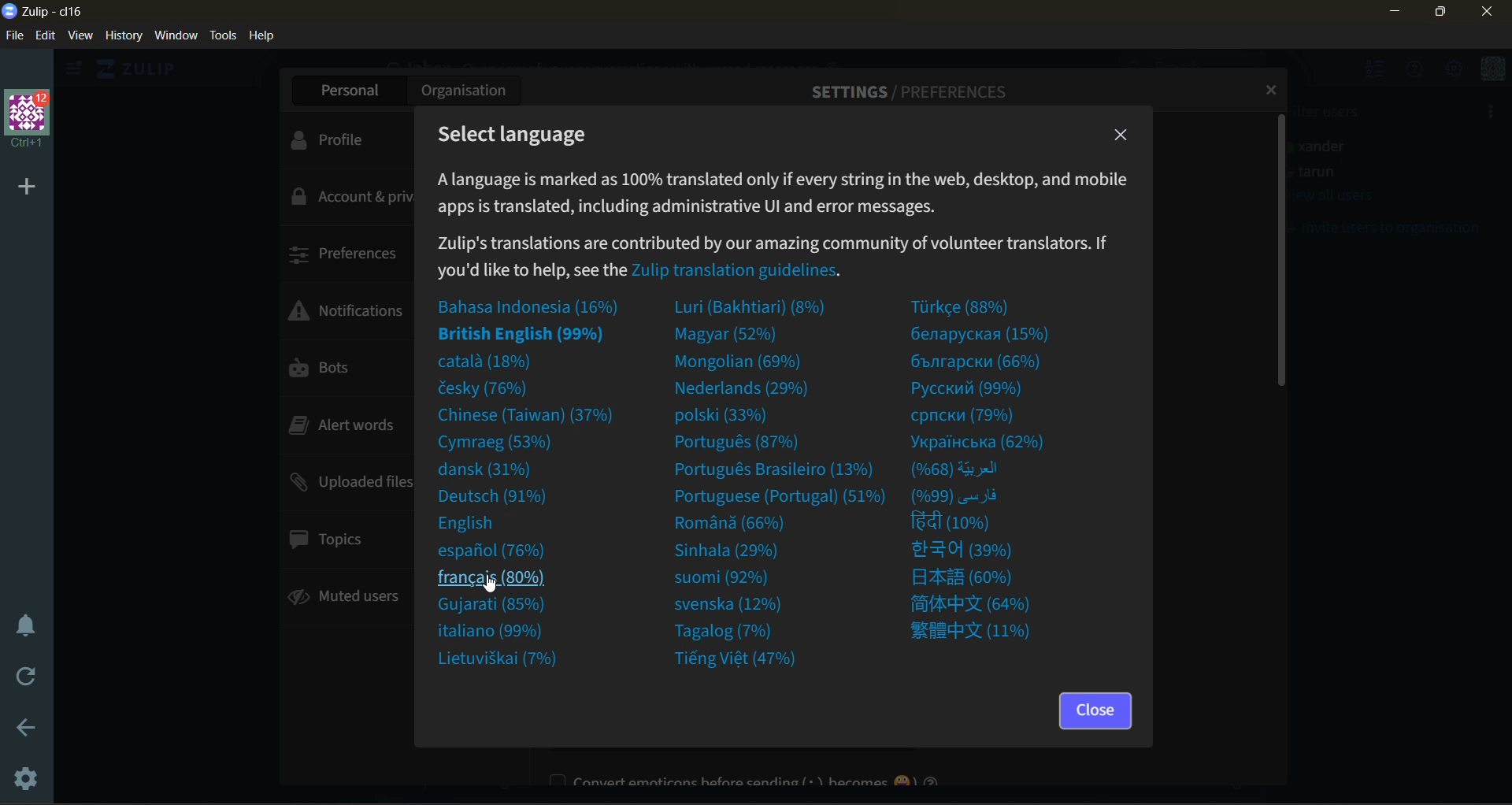 This screenshot has height=805, width=1512. I want to click on chinese taiwan, so click(529, 415).